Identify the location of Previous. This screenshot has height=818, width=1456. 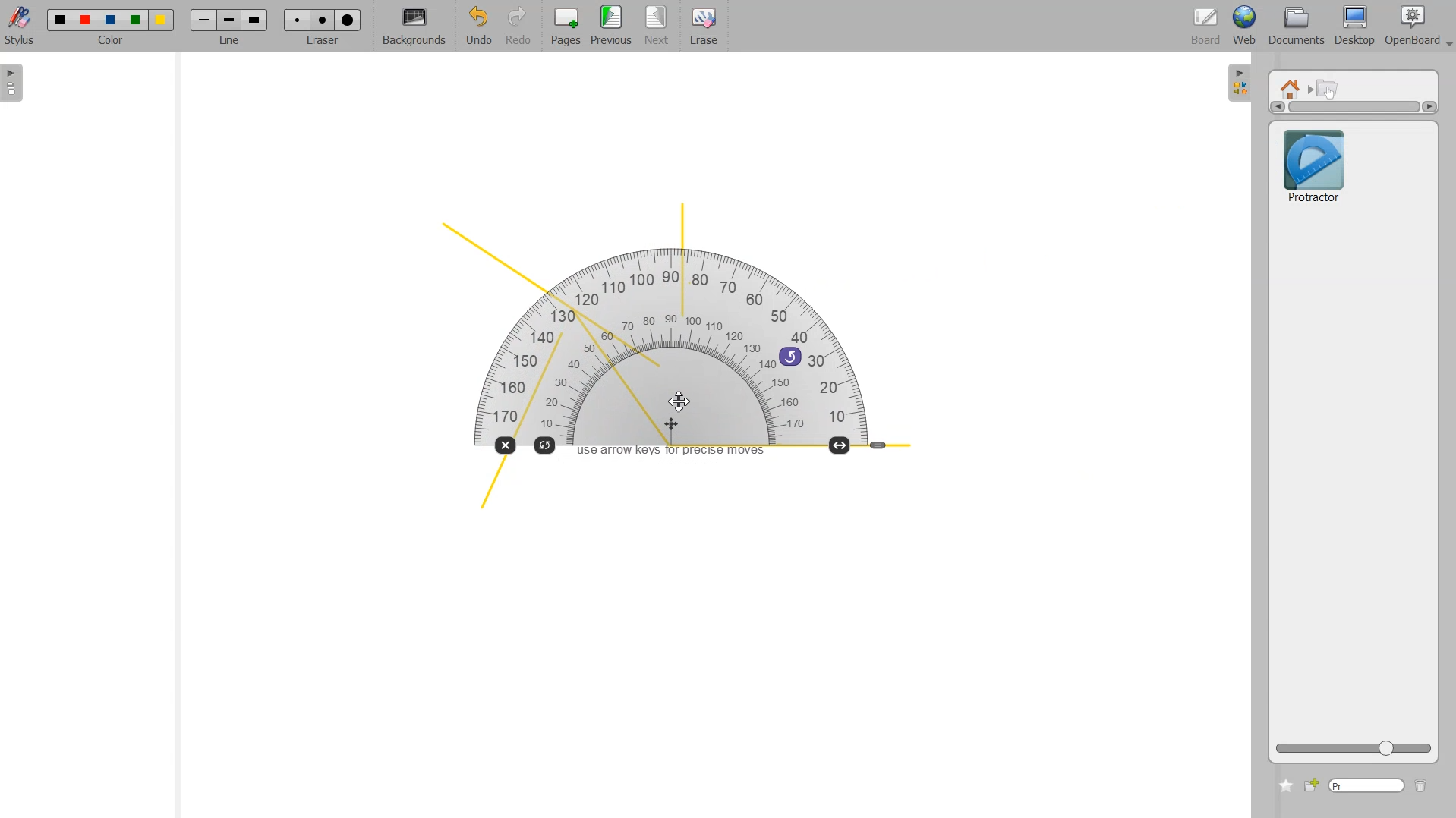
(613, 27).